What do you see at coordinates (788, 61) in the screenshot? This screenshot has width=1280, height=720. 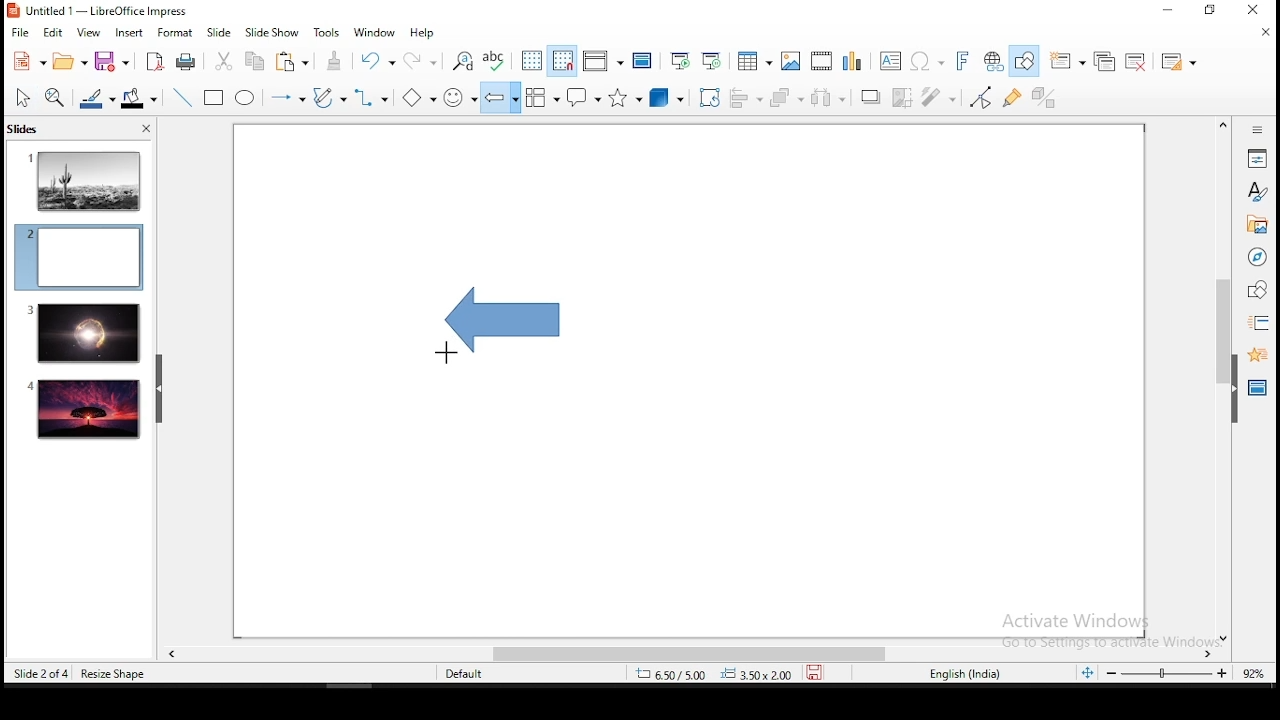 I see `images` at bounding box center [788, 61].